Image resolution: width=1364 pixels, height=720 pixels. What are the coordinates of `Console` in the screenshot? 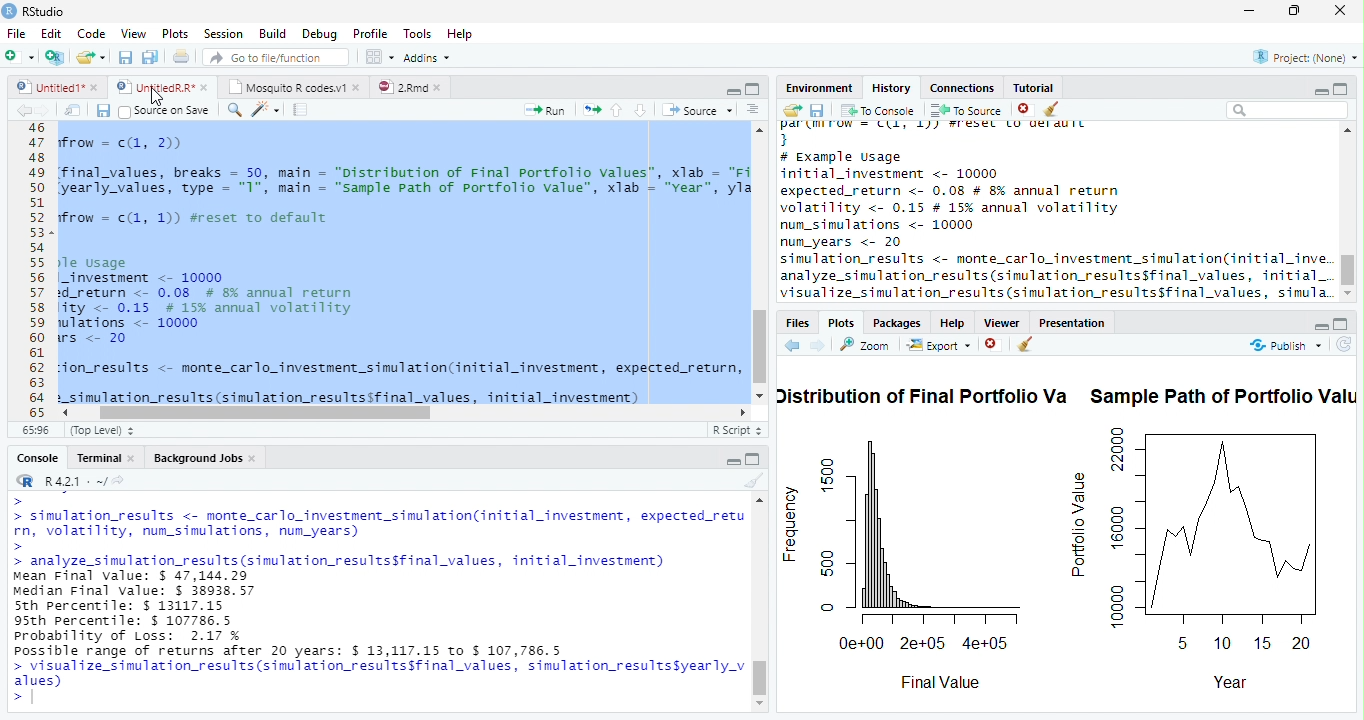 It's located at (387, 601).